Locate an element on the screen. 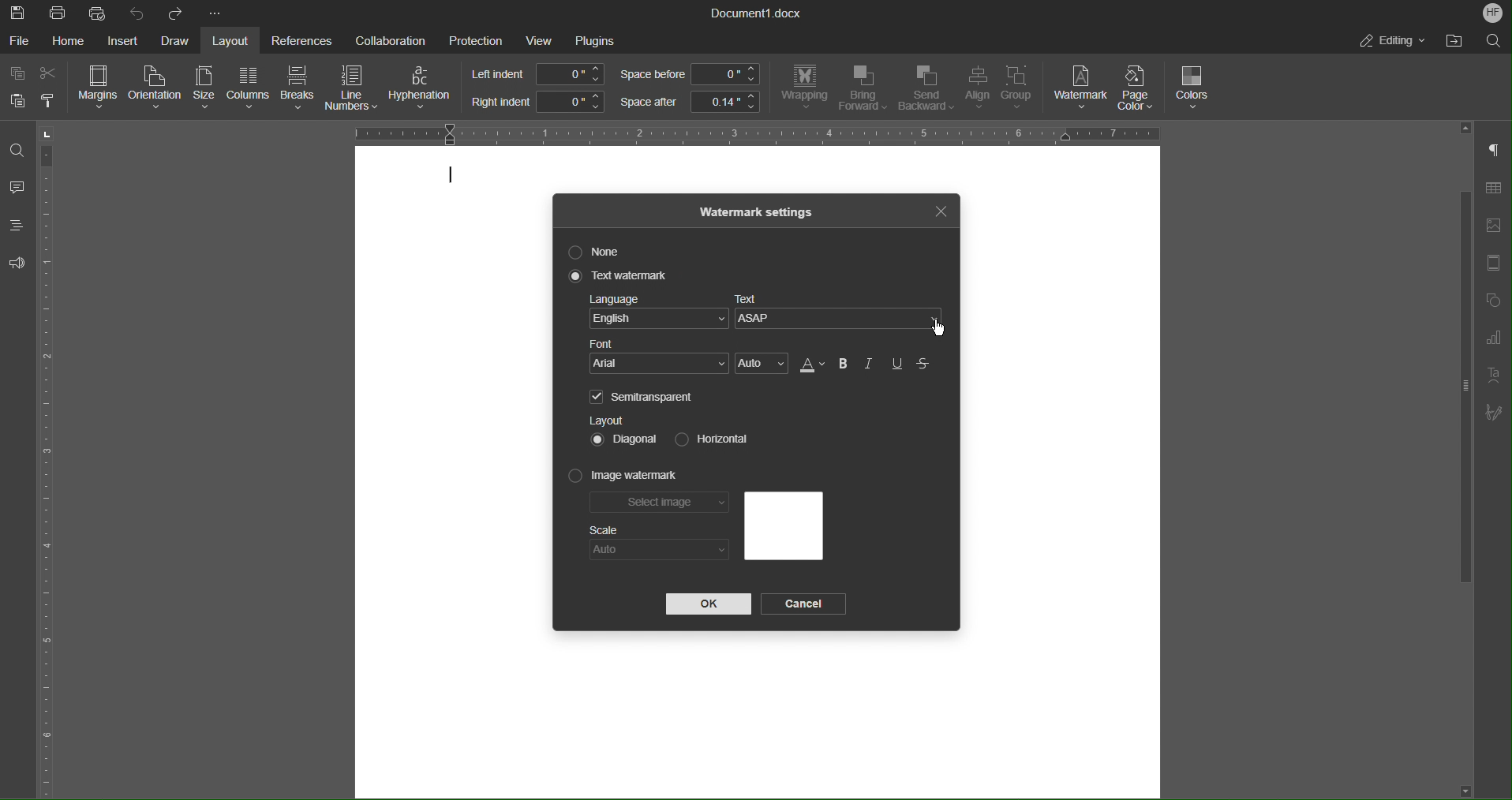  Text Watermark (selected) is located at coordinates (620, 276).